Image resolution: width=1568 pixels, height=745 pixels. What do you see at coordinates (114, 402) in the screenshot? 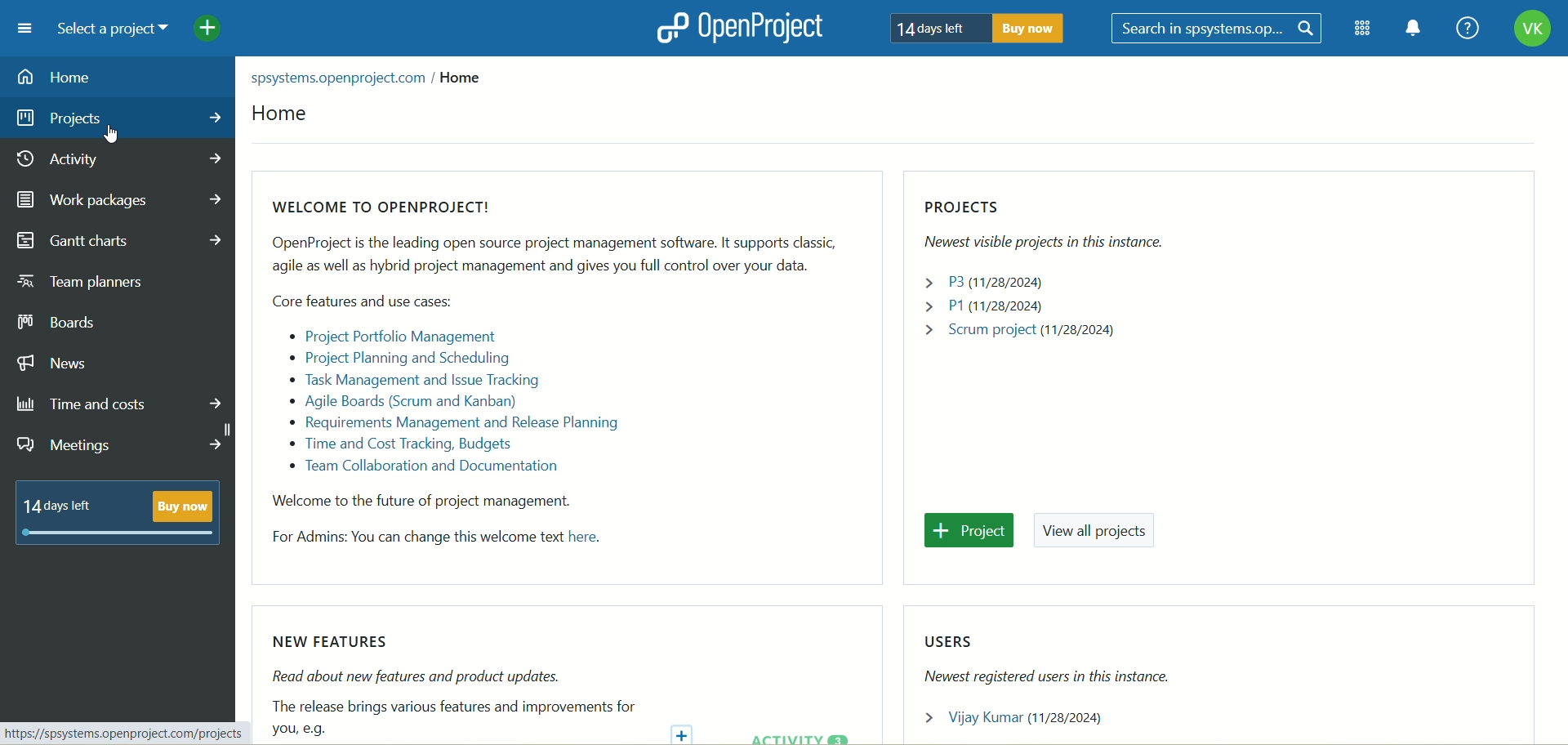
I see `time and costs` at bounding box center [114, 402].